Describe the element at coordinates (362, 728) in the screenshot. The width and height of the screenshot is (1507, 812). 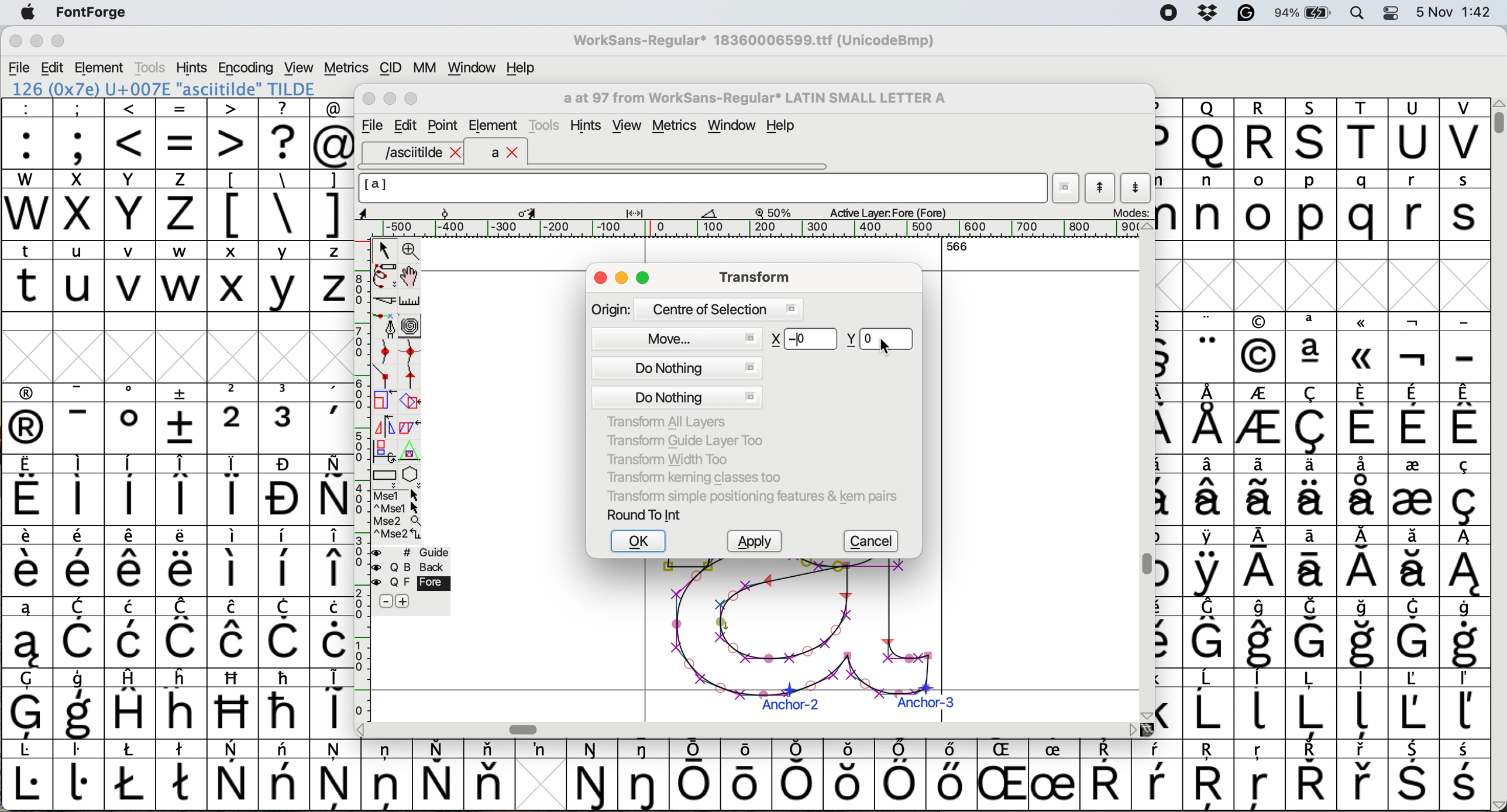
I see `scroll button` at that location.